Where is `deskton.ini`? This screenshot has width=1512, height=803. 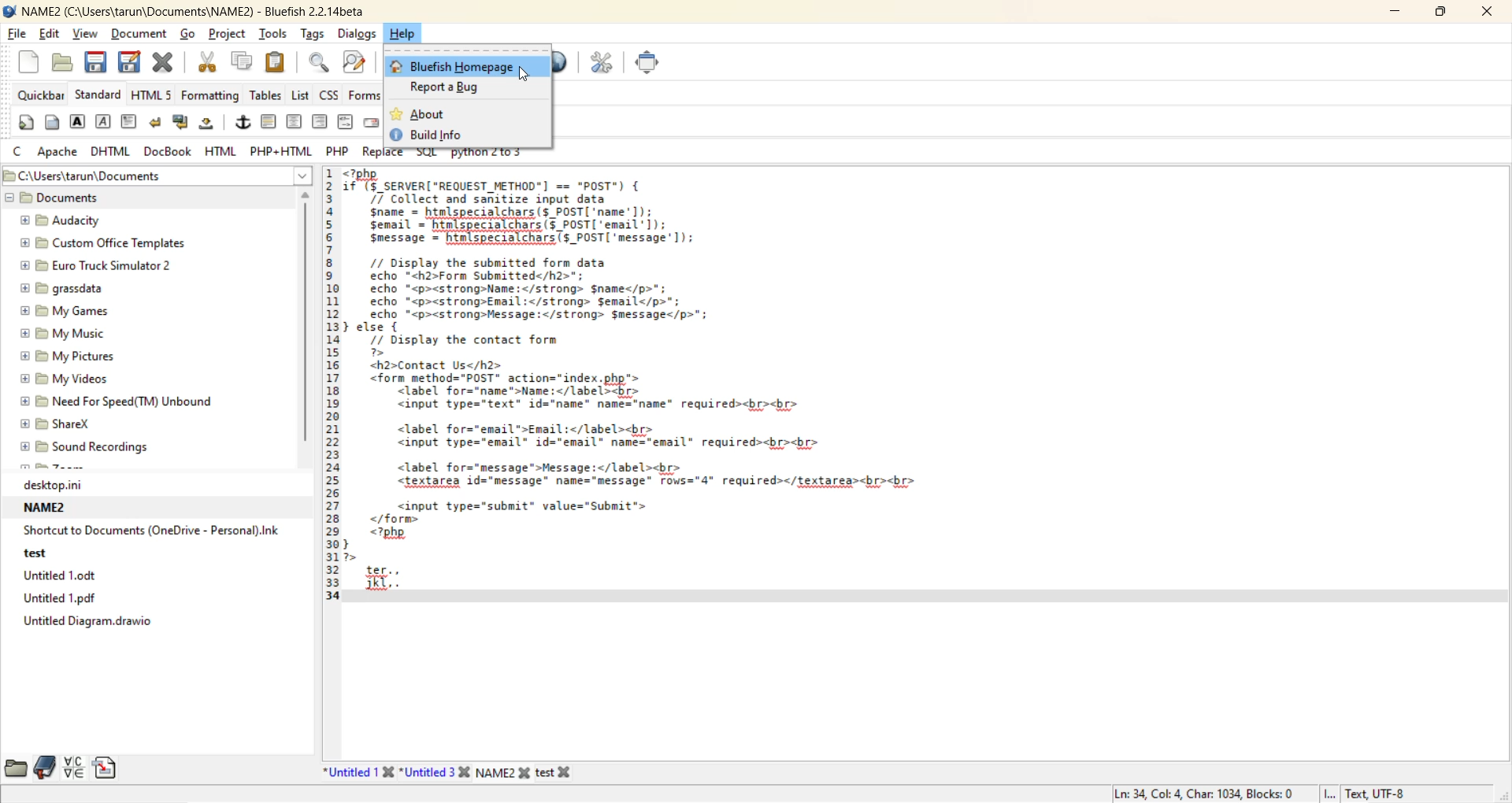
deskton.ini is located at coordinates (42, 482).